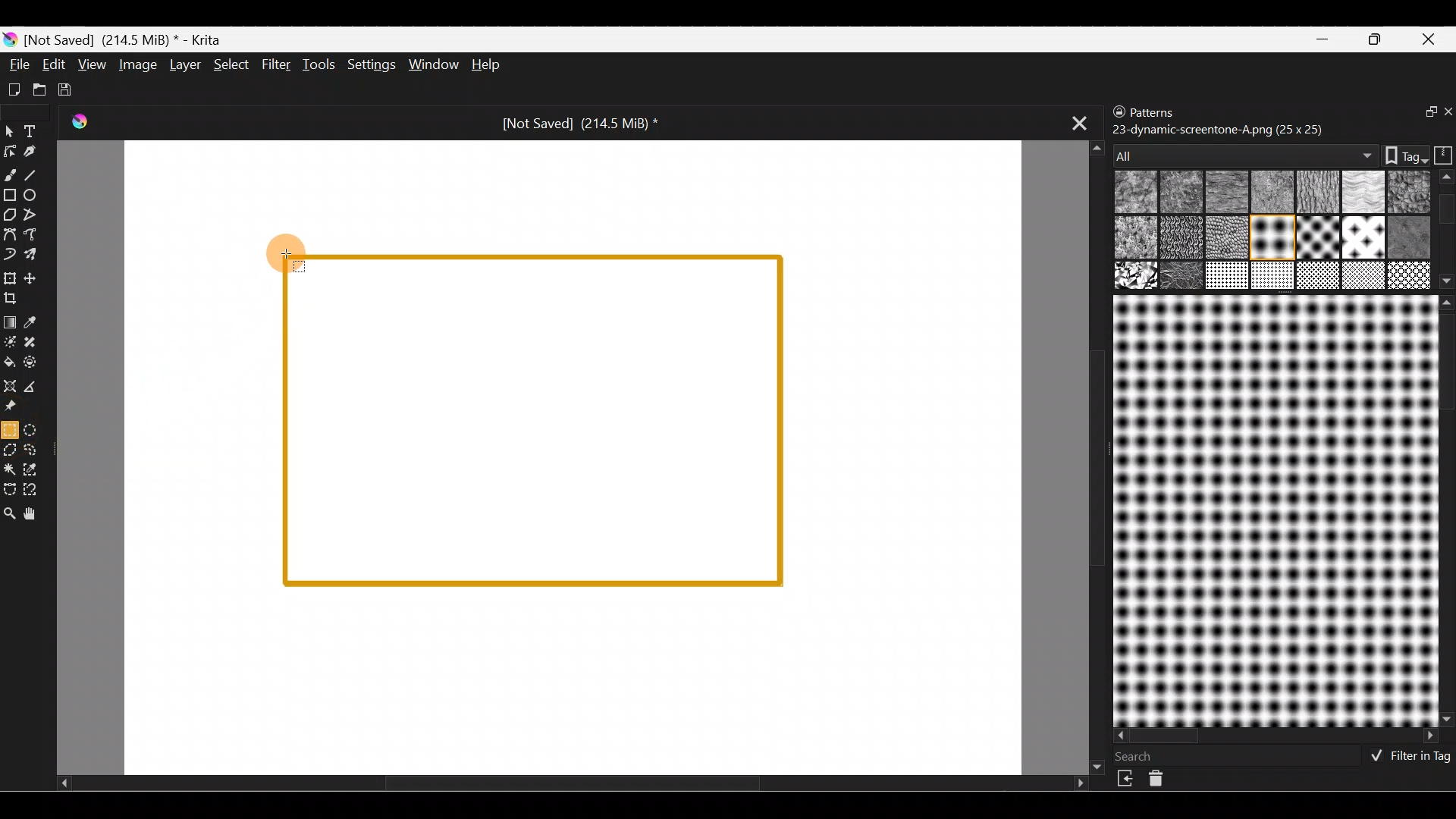 This screenshot has width=1456, height=819. I want to click on Tools, so click(318, 66).